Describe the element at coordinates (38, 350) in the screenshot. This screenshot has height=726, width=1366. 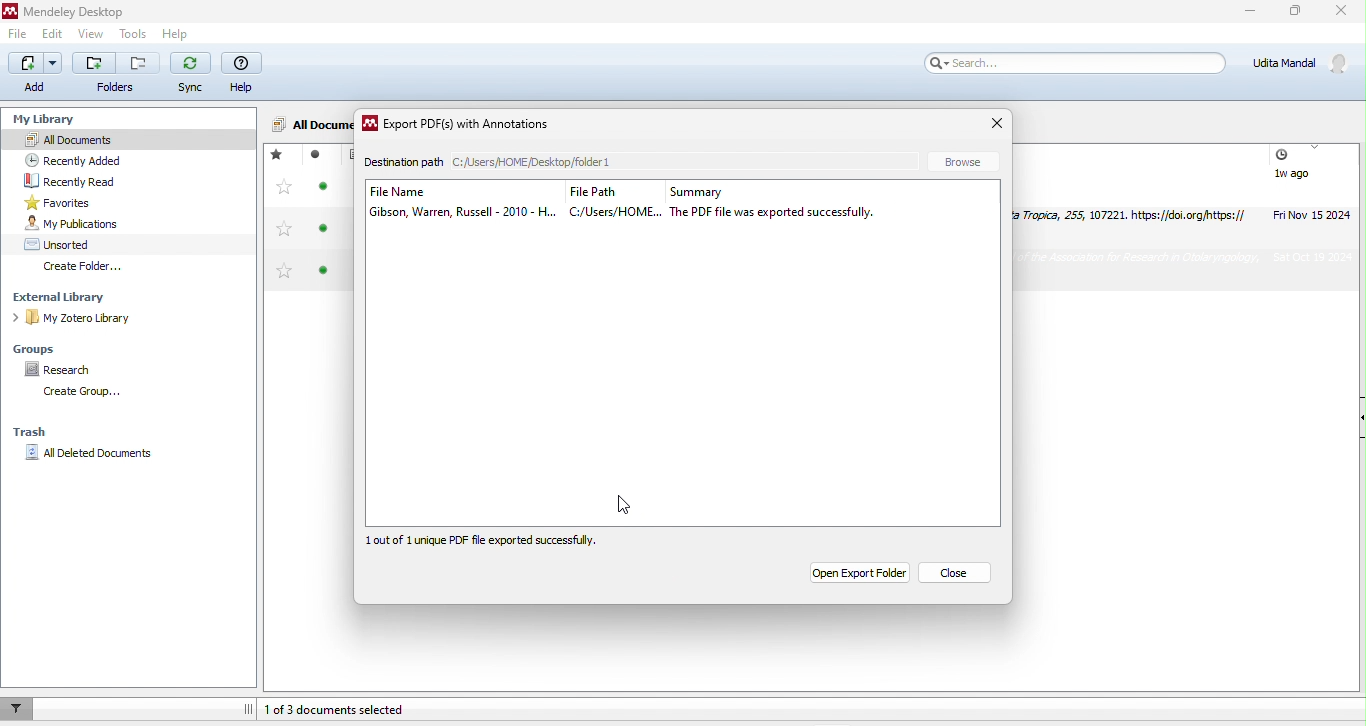
I see `groups` at that location.